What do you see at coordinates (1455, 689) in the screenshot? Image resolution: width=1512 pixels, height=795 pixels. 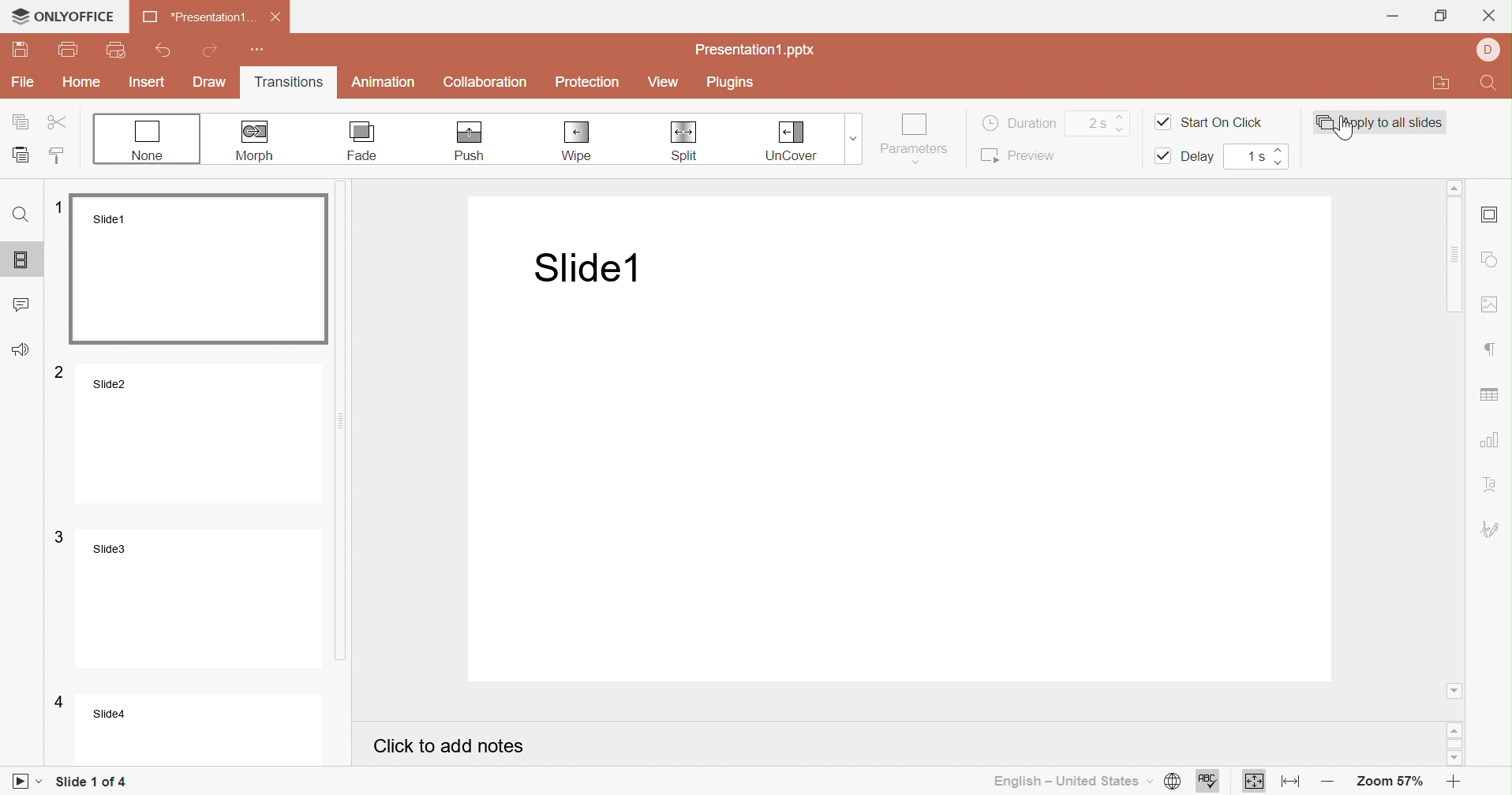 I see `Scroll down` at bounding box center [1455, 689].